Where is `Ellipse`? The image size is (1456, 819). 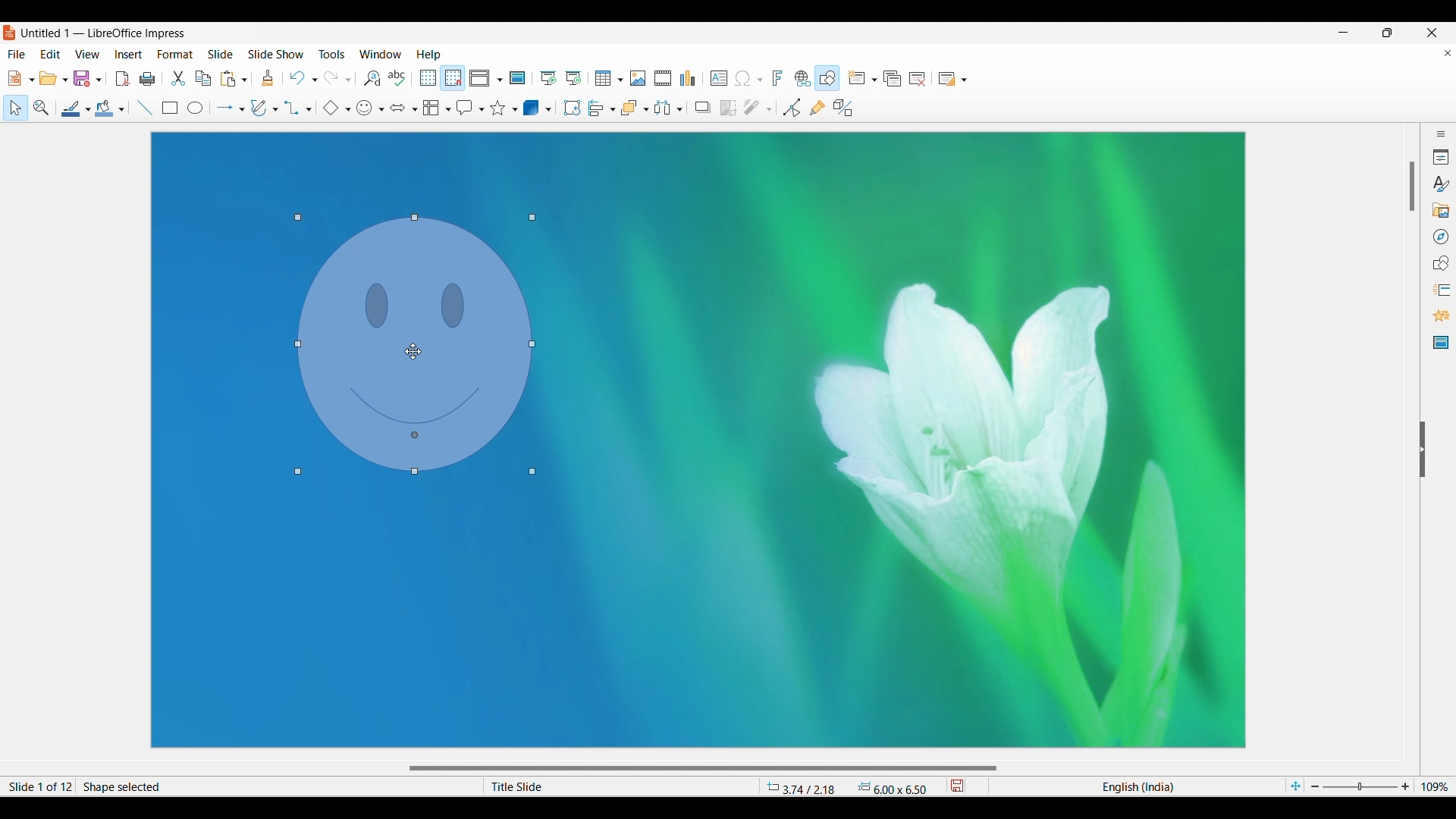 Ellipse is located at coordinates (195, 107).